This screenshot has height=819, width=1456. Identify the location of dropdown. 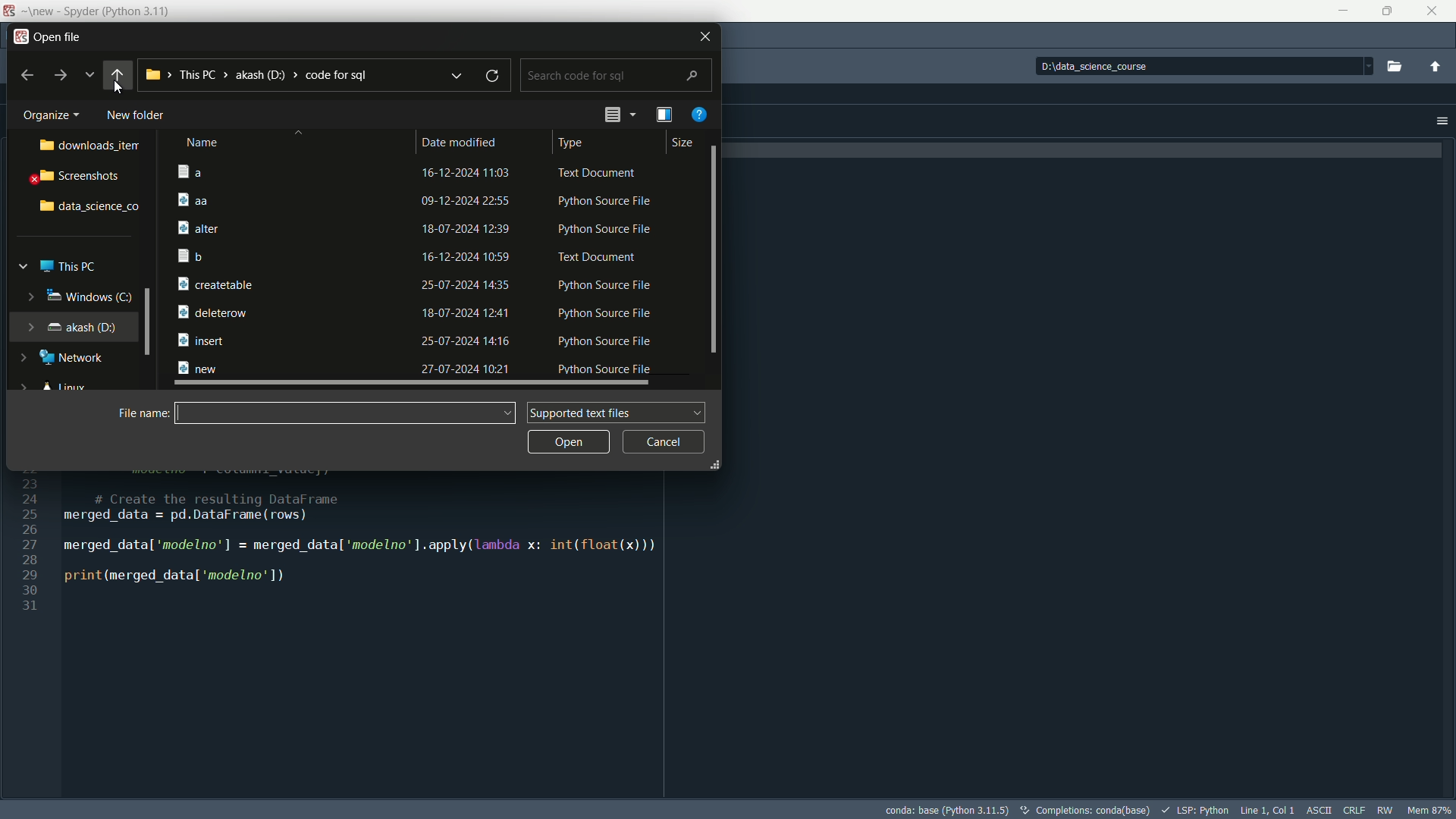
(507, 413).